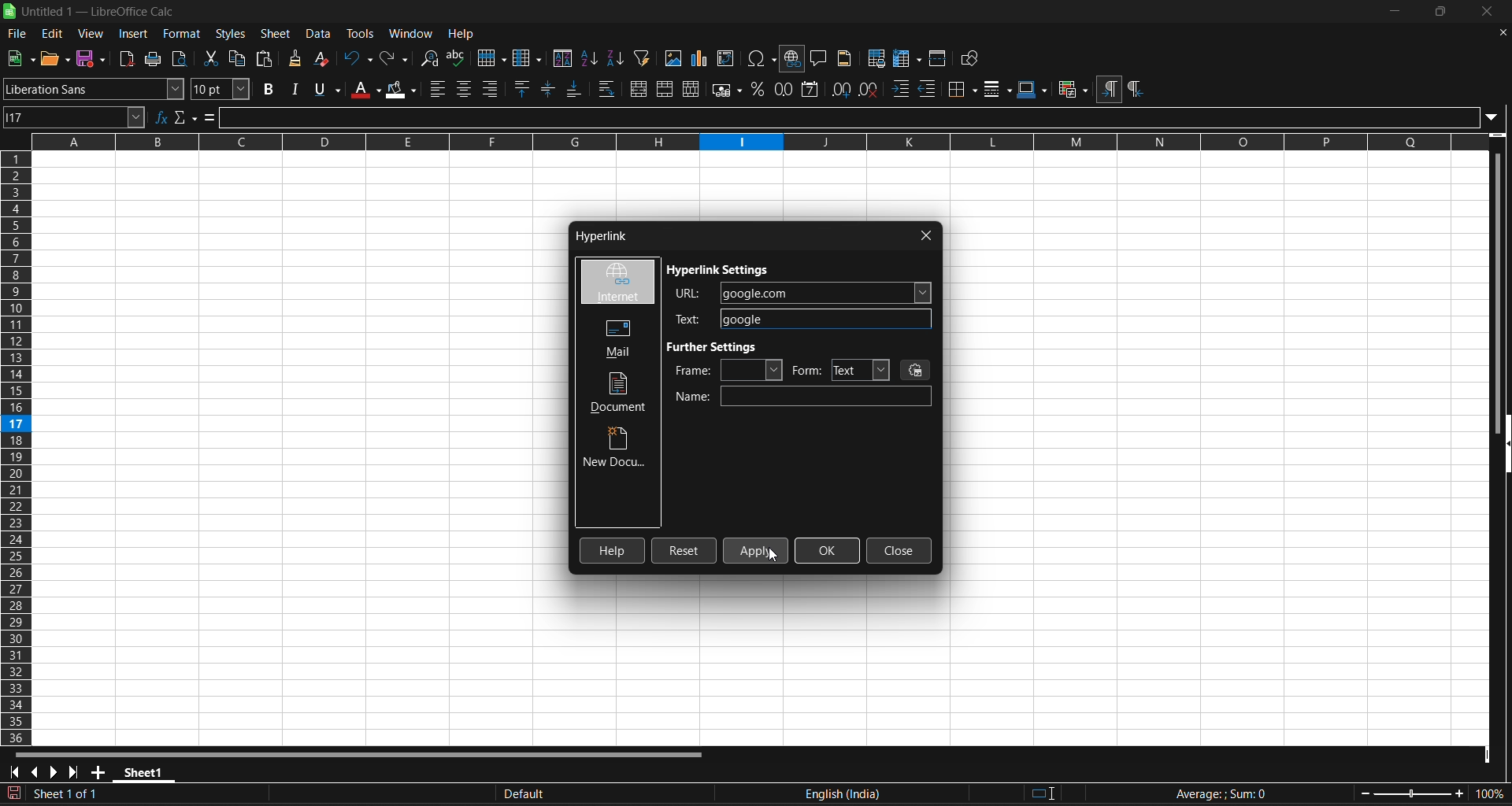 This screenshot has height=806, width=1512. What do you see at coordinates (840, 370) in the screenshot?
I see `form` at bounding box center [840, 370].